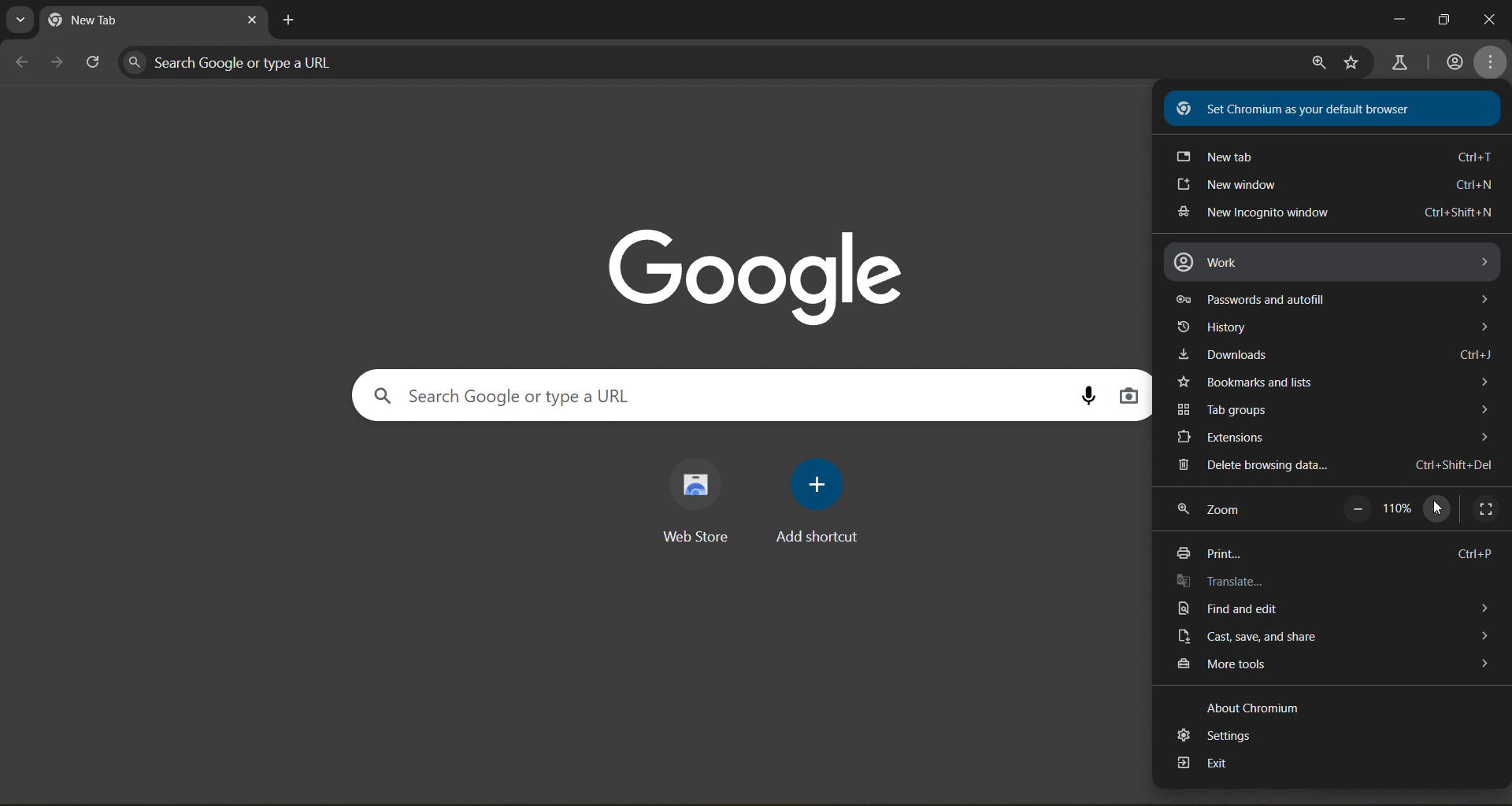 The height and width of the screenshot is (806, 1512). Describe the element at coordinates (1492, 61) in the screenshot. I see `menu` at that location.